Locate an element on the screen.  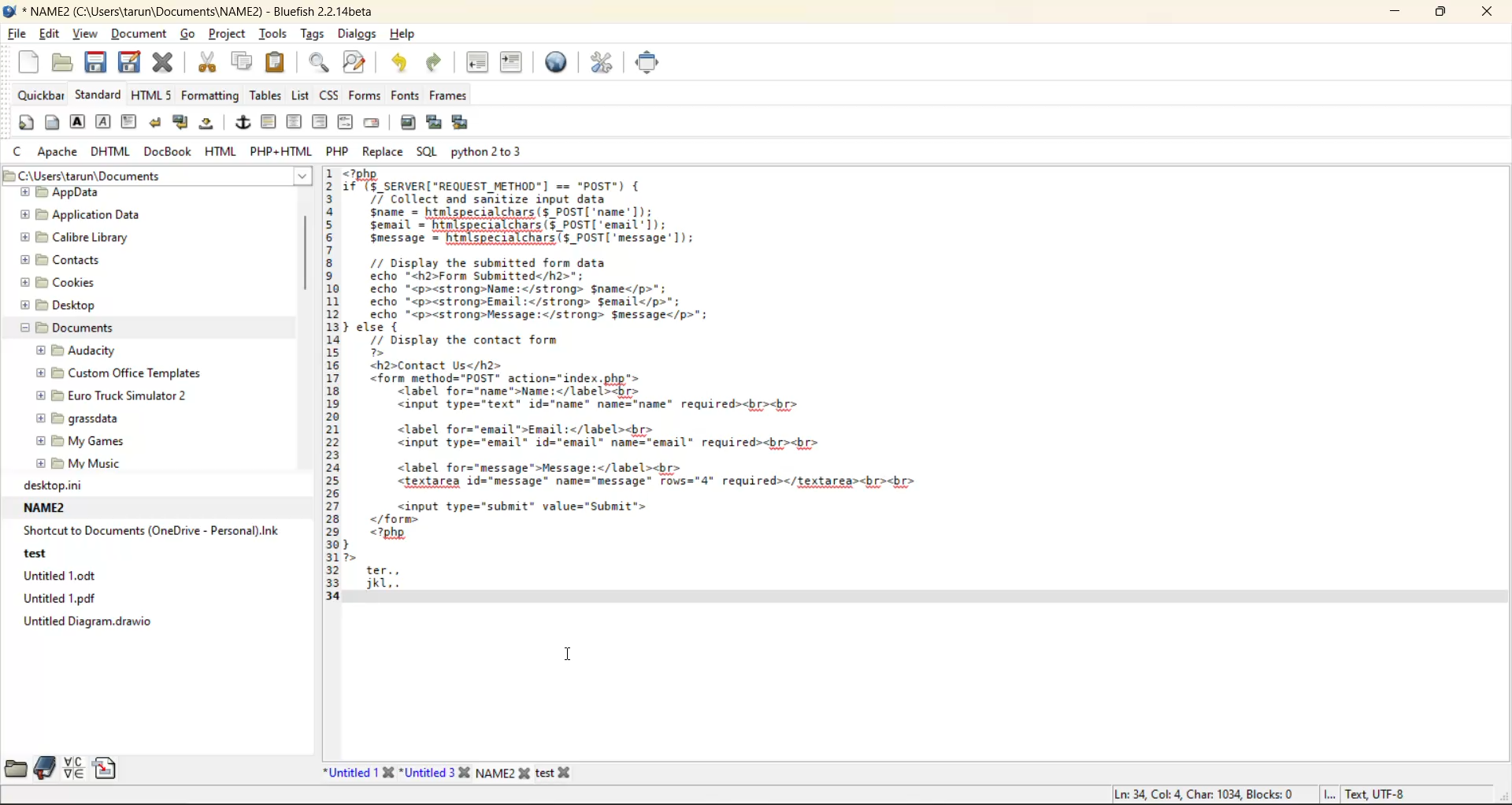
Calibre Library is located at coordinates (65, 239).